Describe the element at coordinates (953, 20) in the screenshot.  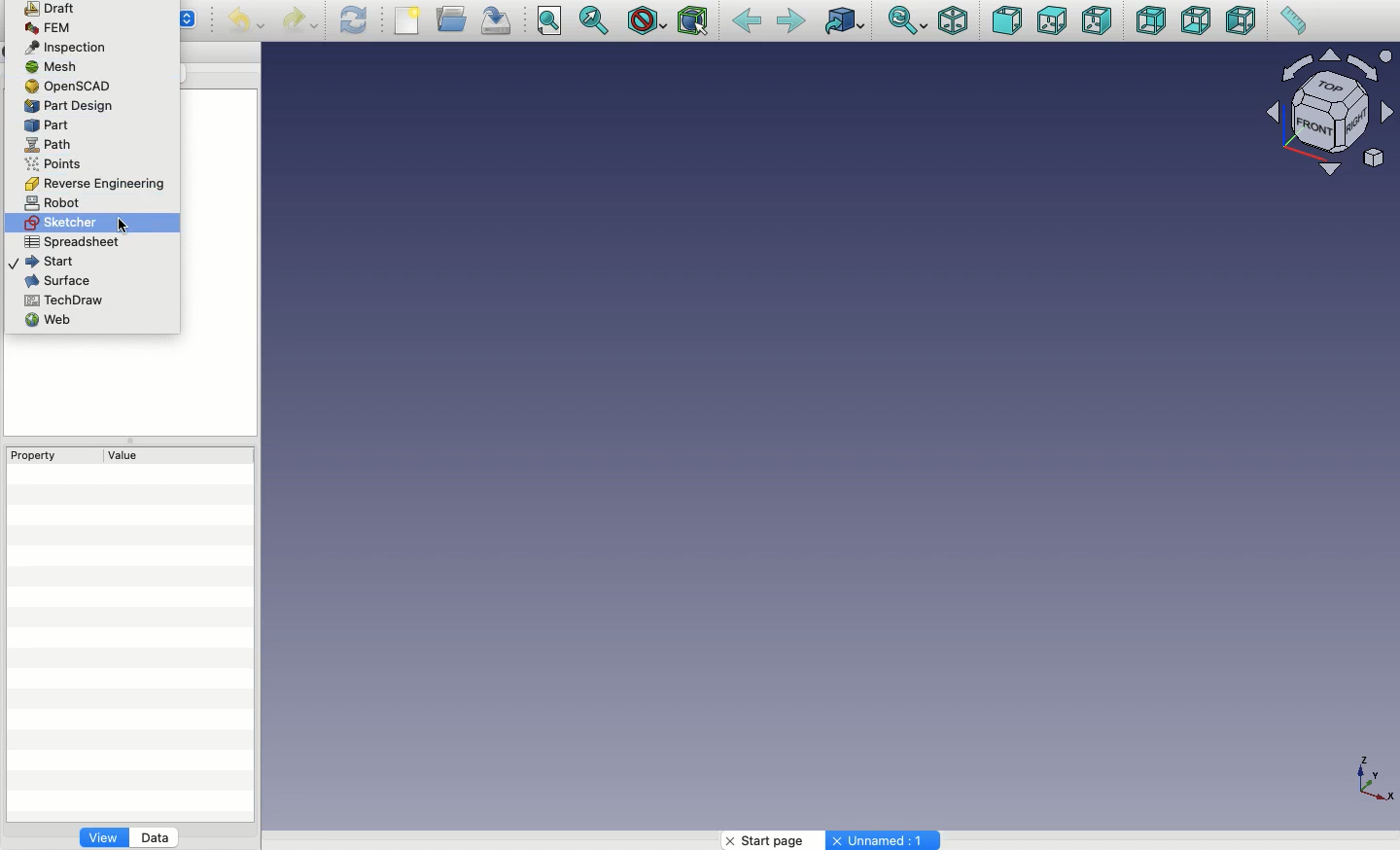
I see `Isometric` at that location.